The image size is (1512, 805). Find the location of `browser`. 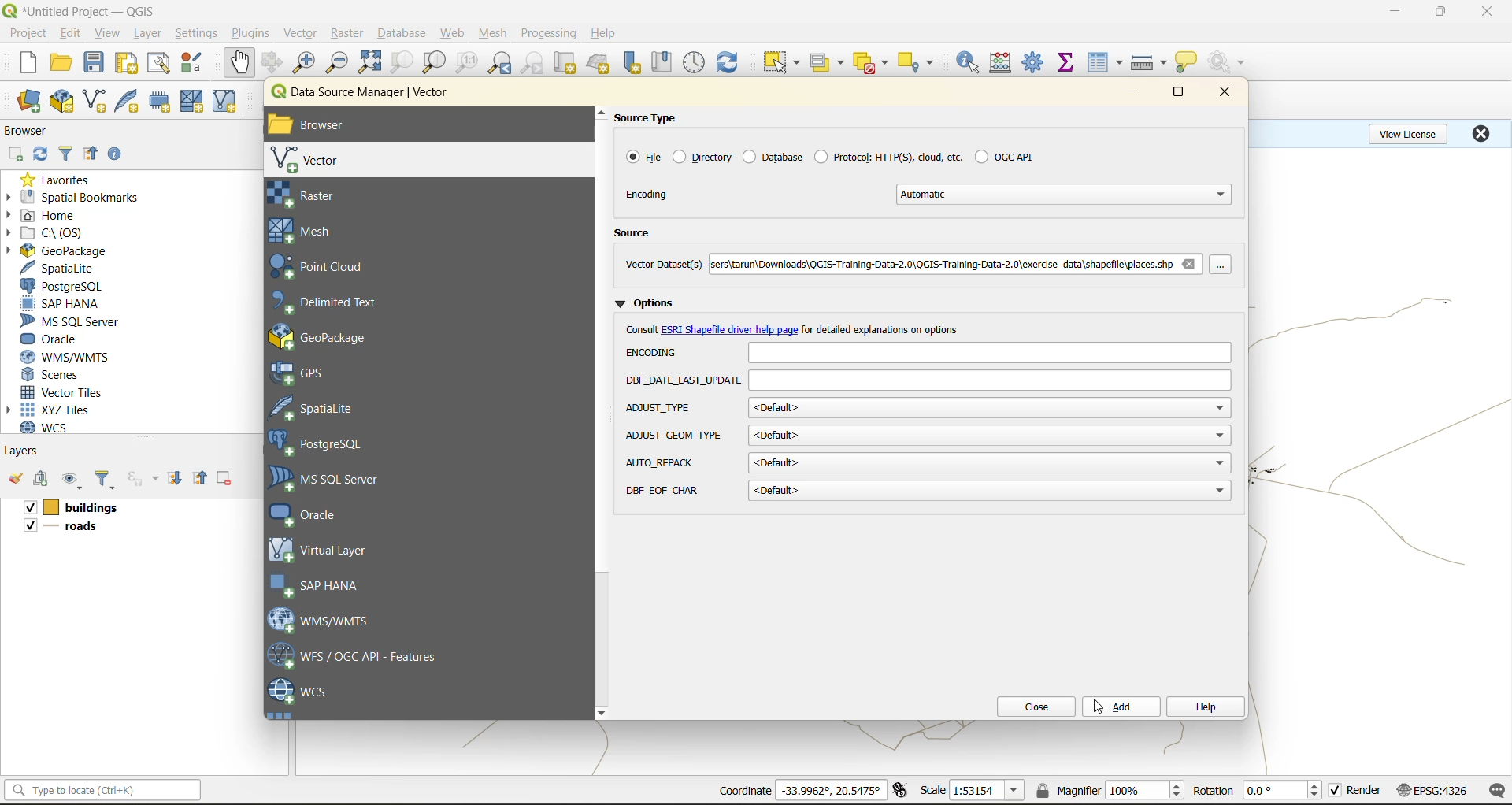

browser is located at coordinates (324, 127).